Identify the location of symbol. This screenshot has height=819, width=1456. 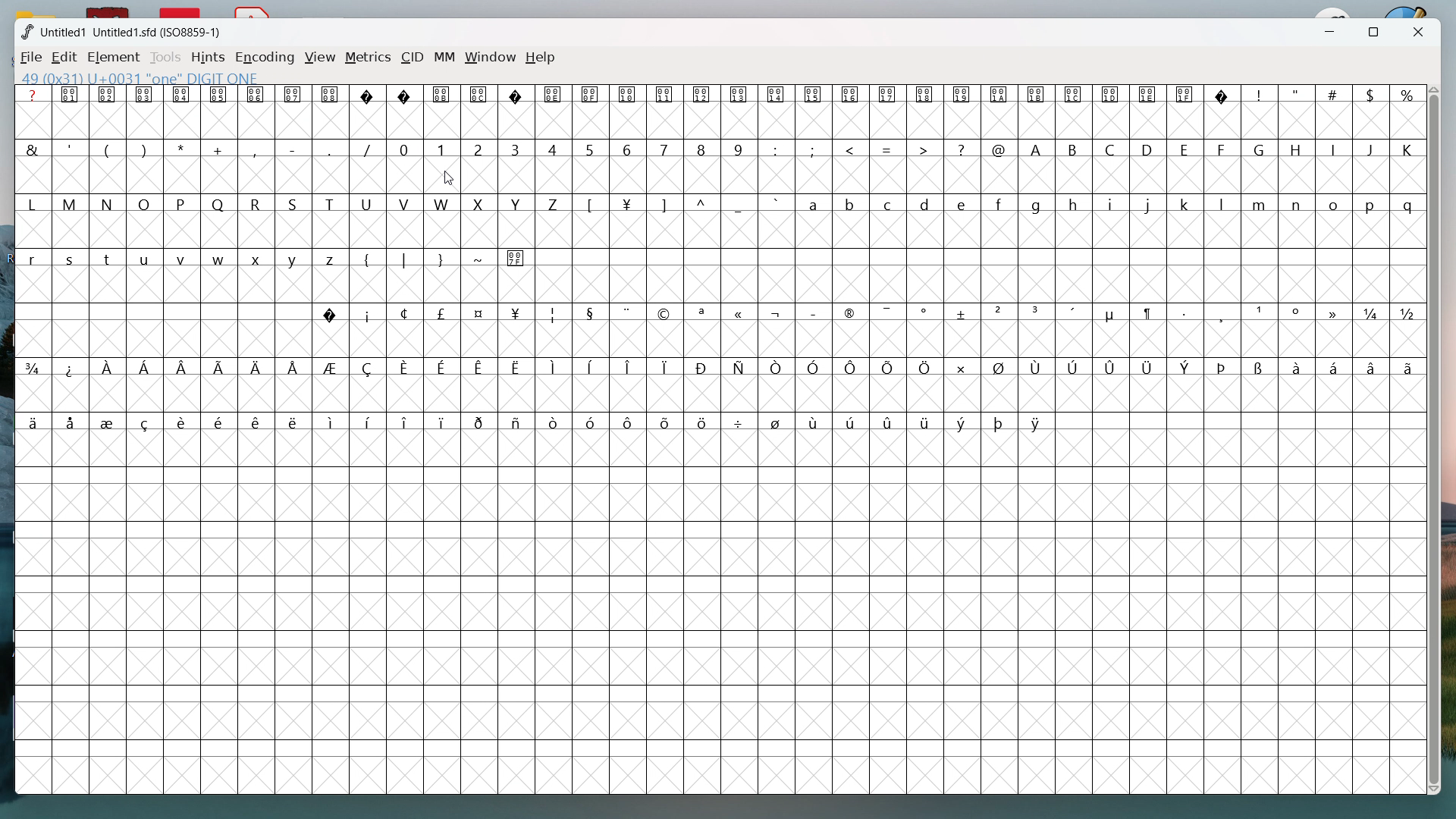
(1110, 366).